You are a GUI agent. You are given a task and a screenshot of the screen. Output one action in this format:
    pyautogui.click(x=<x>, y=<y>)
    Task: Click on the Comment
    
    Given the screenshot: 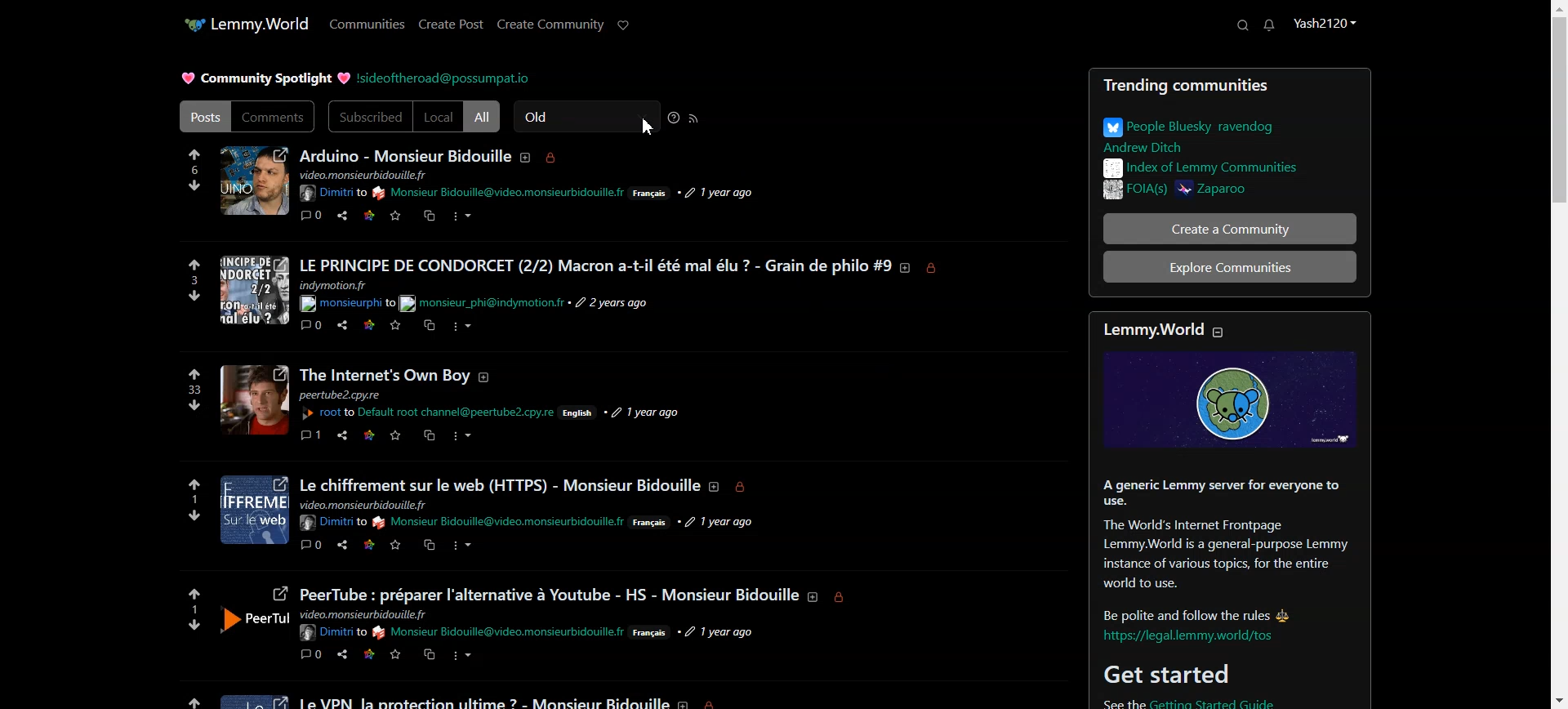 What is the action you would take?
    pyautogui.click(x=312, y=215)
    